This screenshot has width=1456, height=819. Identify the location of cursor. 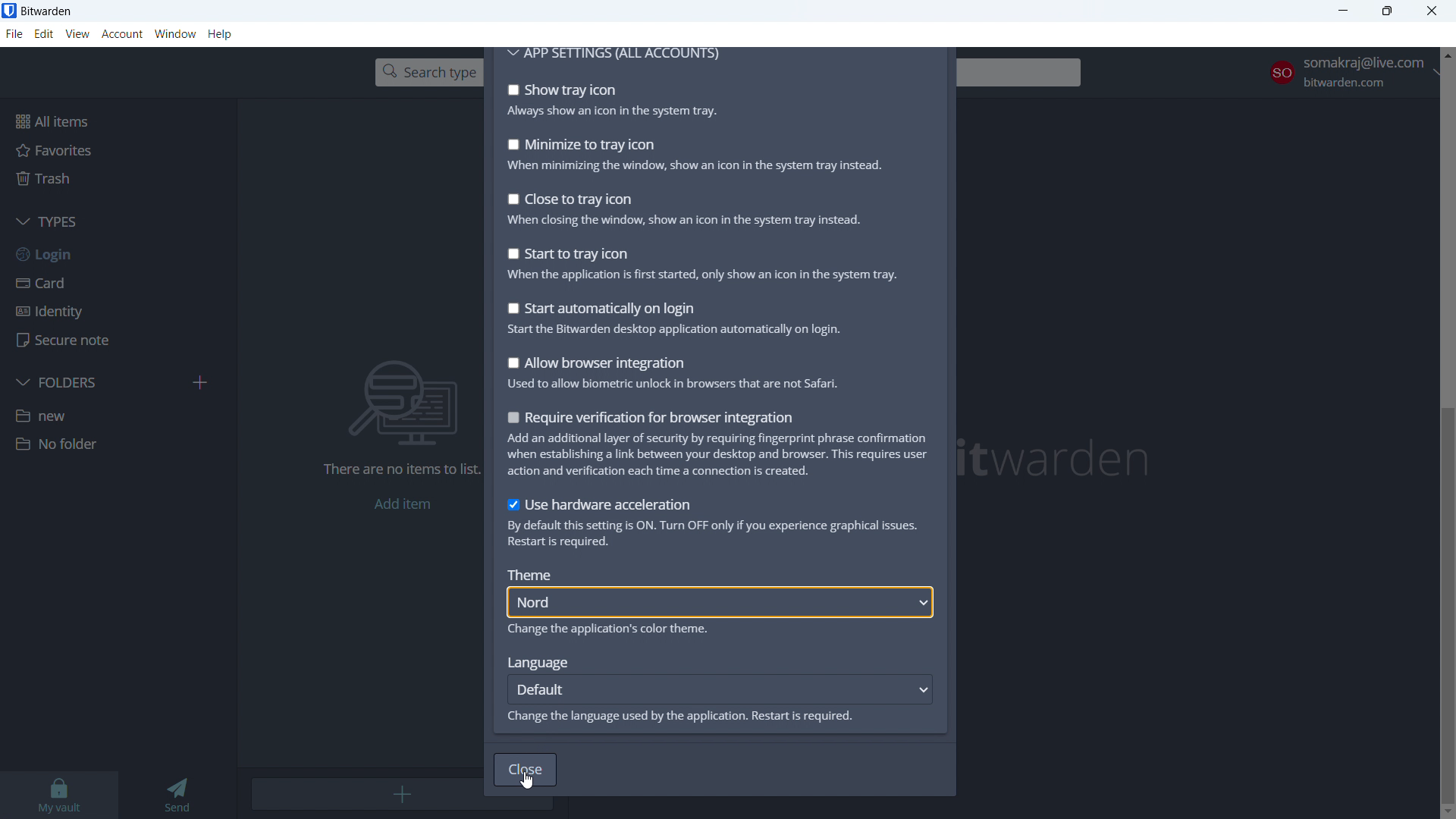
(533, 780).